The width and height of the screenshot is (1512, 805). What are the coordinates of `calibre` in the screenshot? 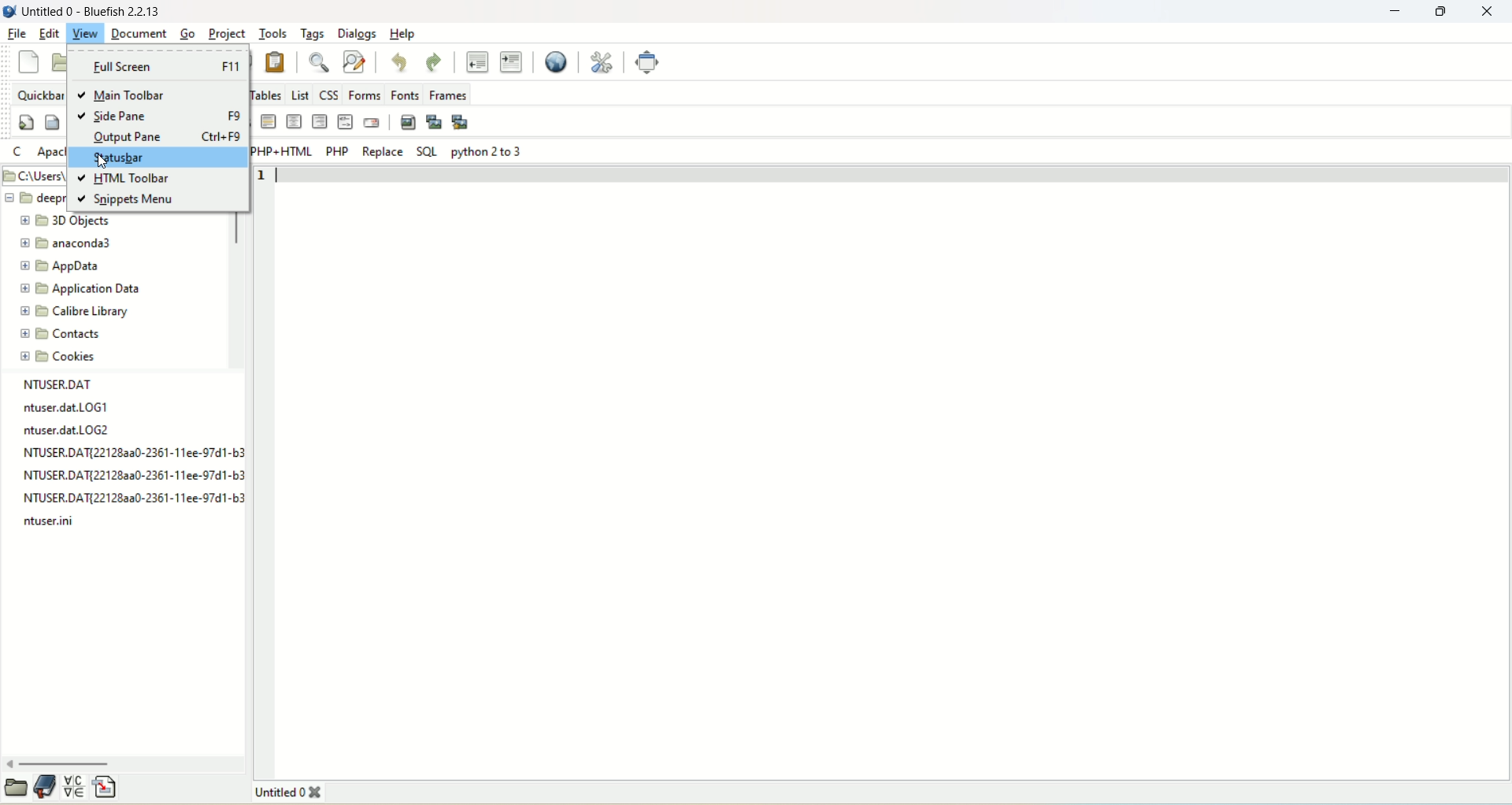 It's located at (72, 312).